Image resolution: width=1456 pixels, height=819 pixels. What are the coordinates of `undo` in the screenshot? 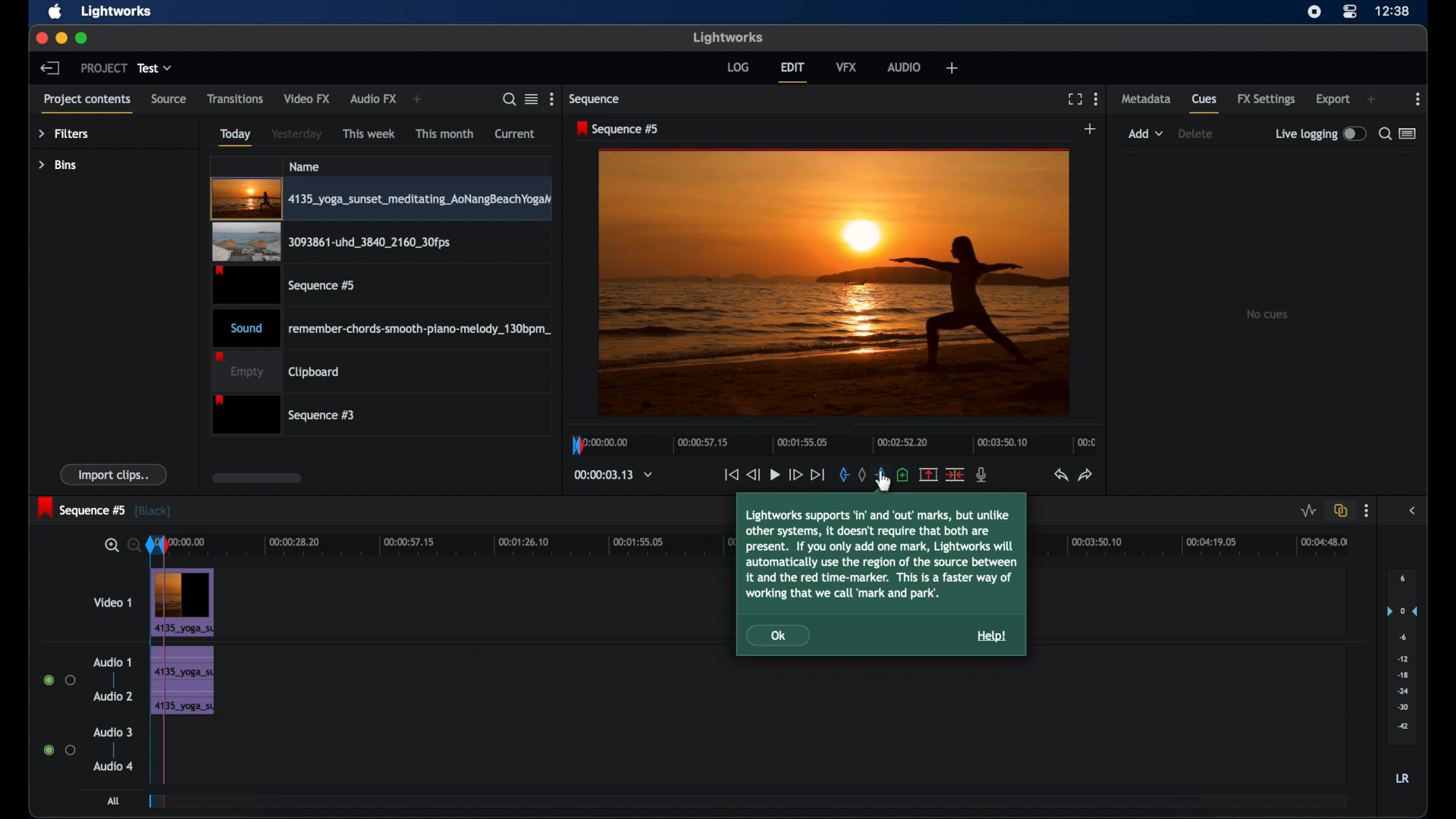 It's located at (1061, 475).